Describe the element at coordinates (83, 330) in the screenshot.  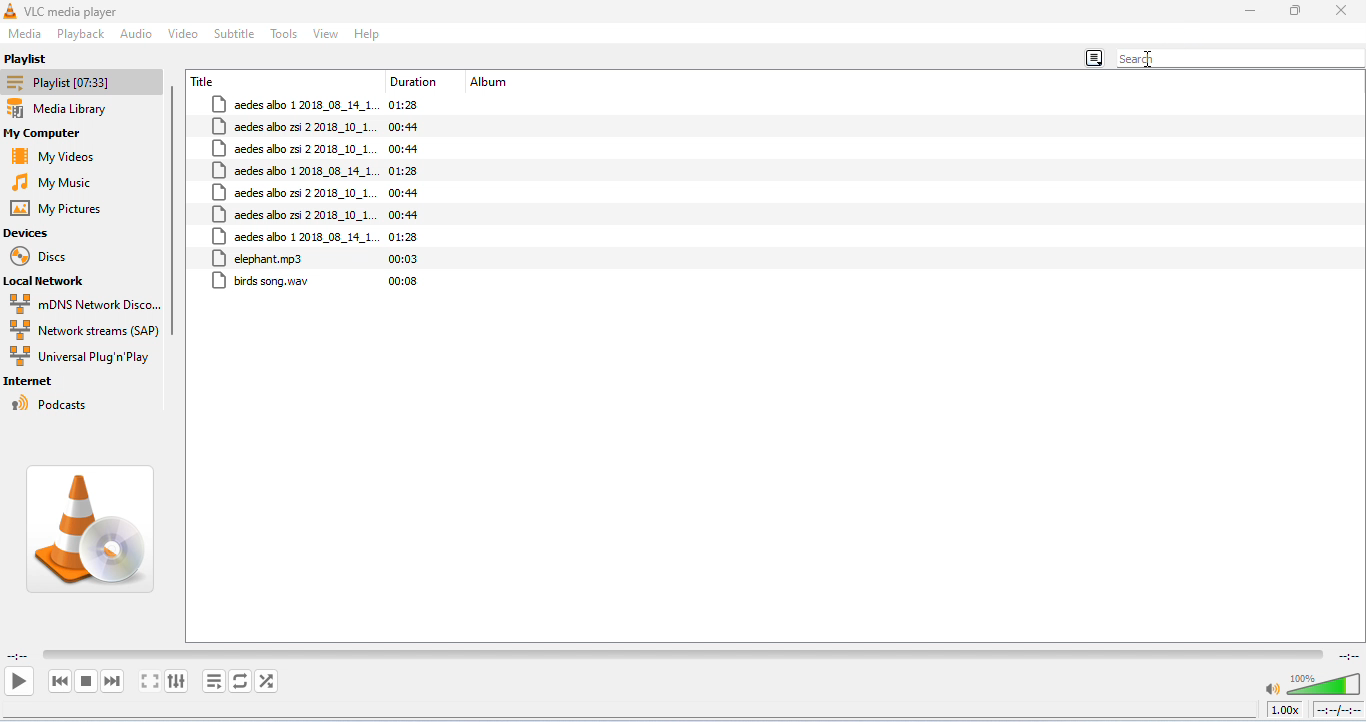
I see `Network streams (SAP)` at that location.